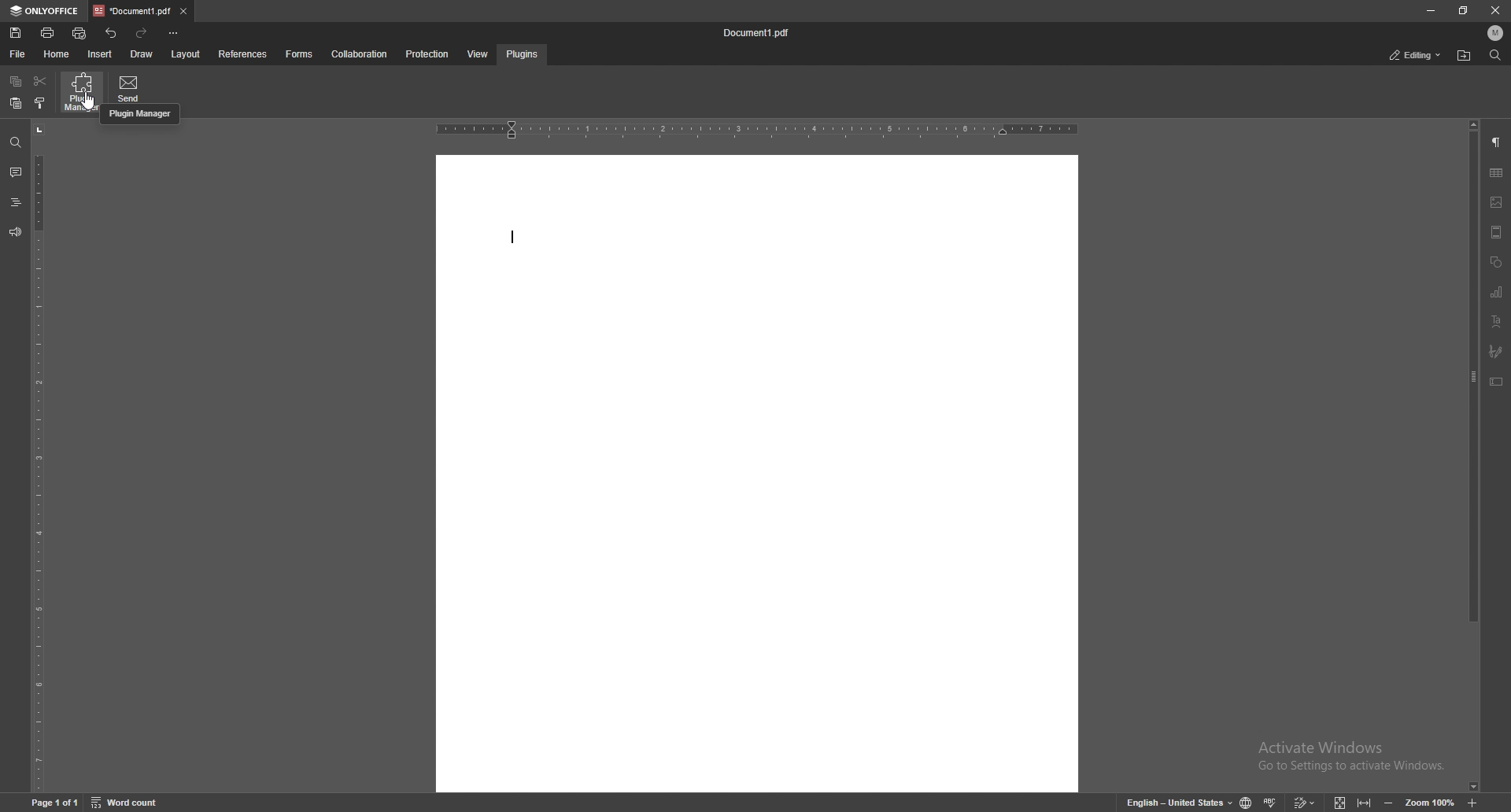 The width and height of the screenshot is (1511, 812). Describe the element at coordinates (46, 802) in the screenshot. I see `Page 1 ` at that location.